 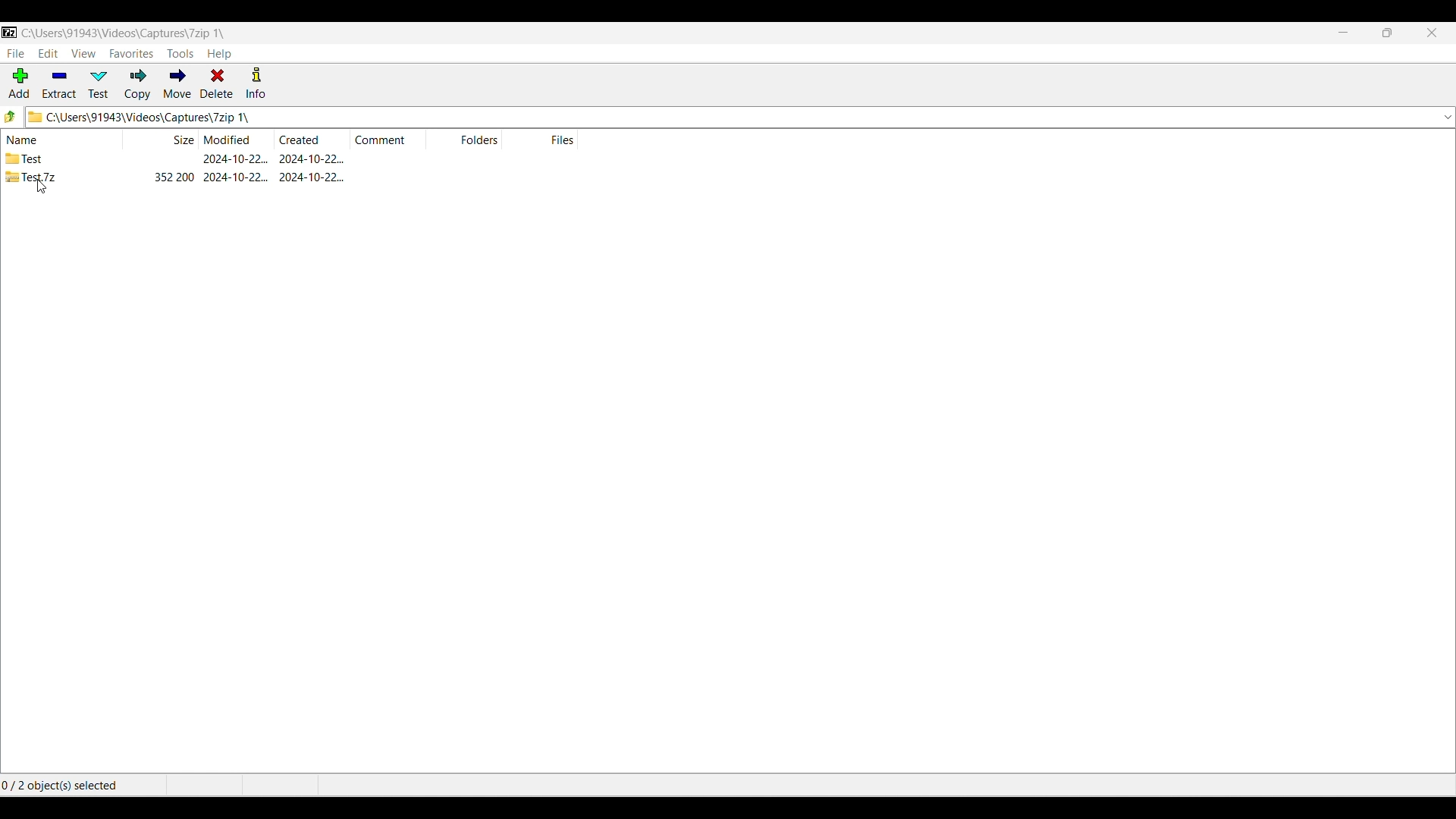 What do you see at coordinates (10, 32) in the screenshot?
I see `Software logo` at bounding box center [10, 32].